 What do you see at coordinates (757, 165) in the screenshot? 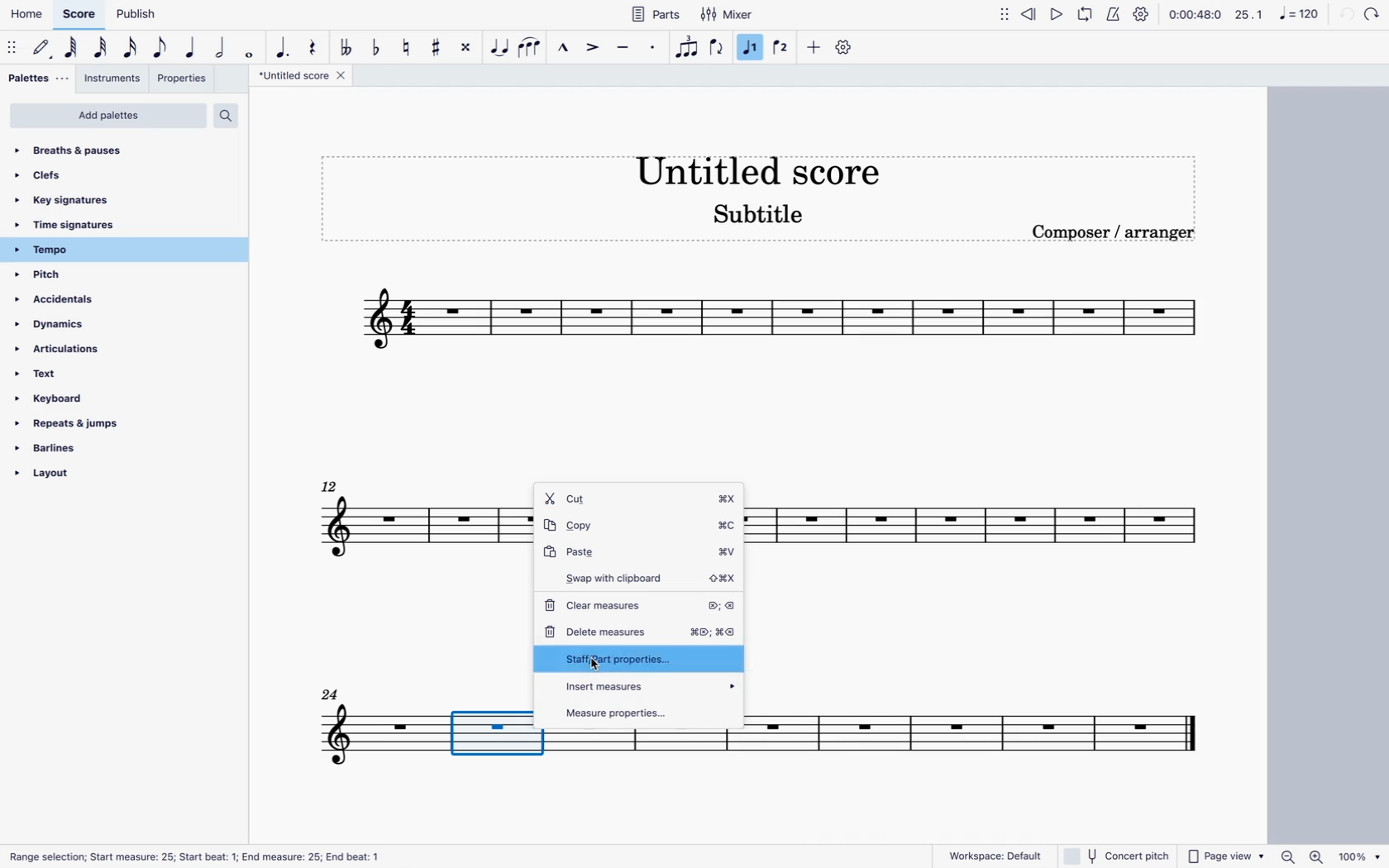
I see `score title` at bounding box center [757, 165].